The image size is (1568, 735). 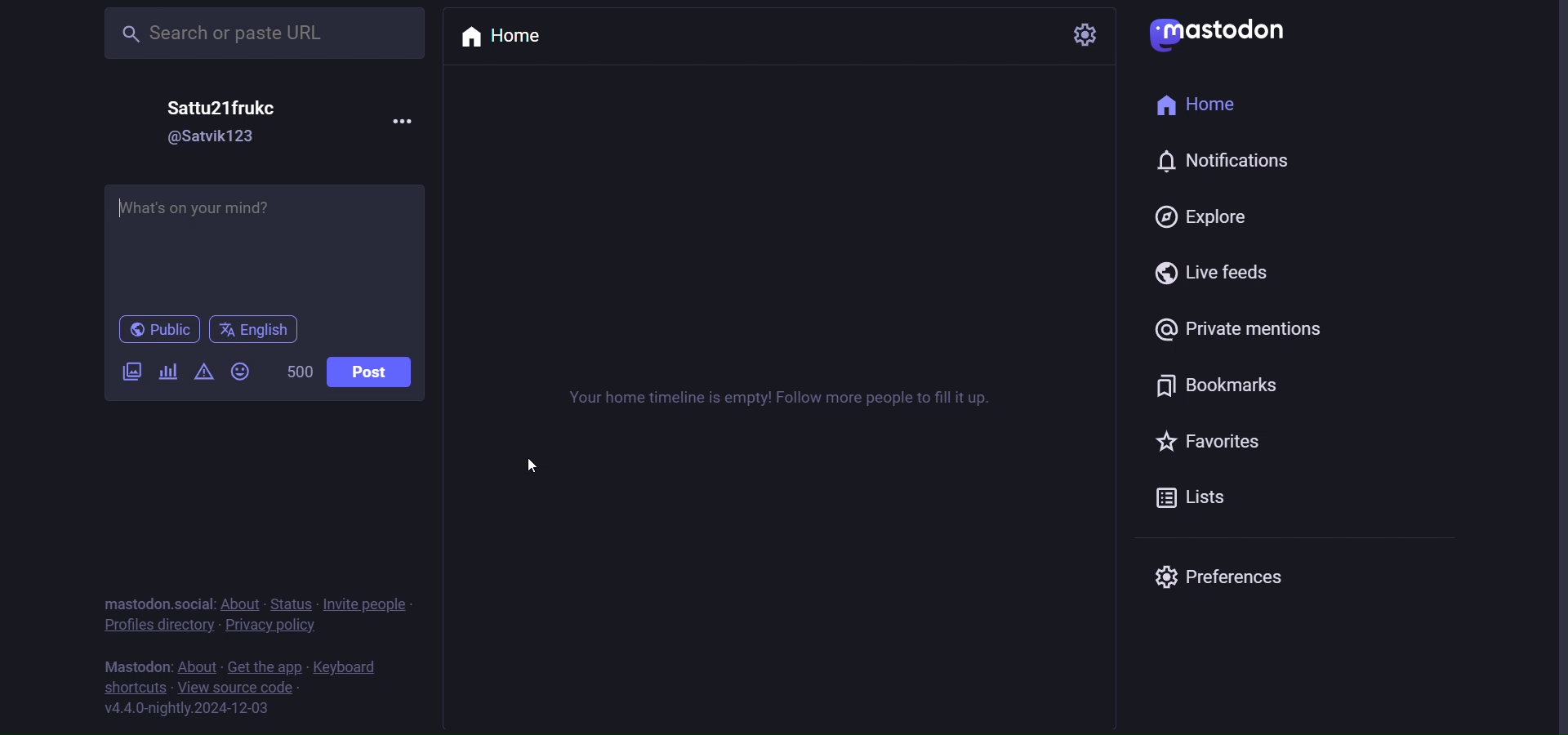 What do you see at coordinates (207, 372) in the screenshot?
I see `content warning` at bounding box center [207, 372].